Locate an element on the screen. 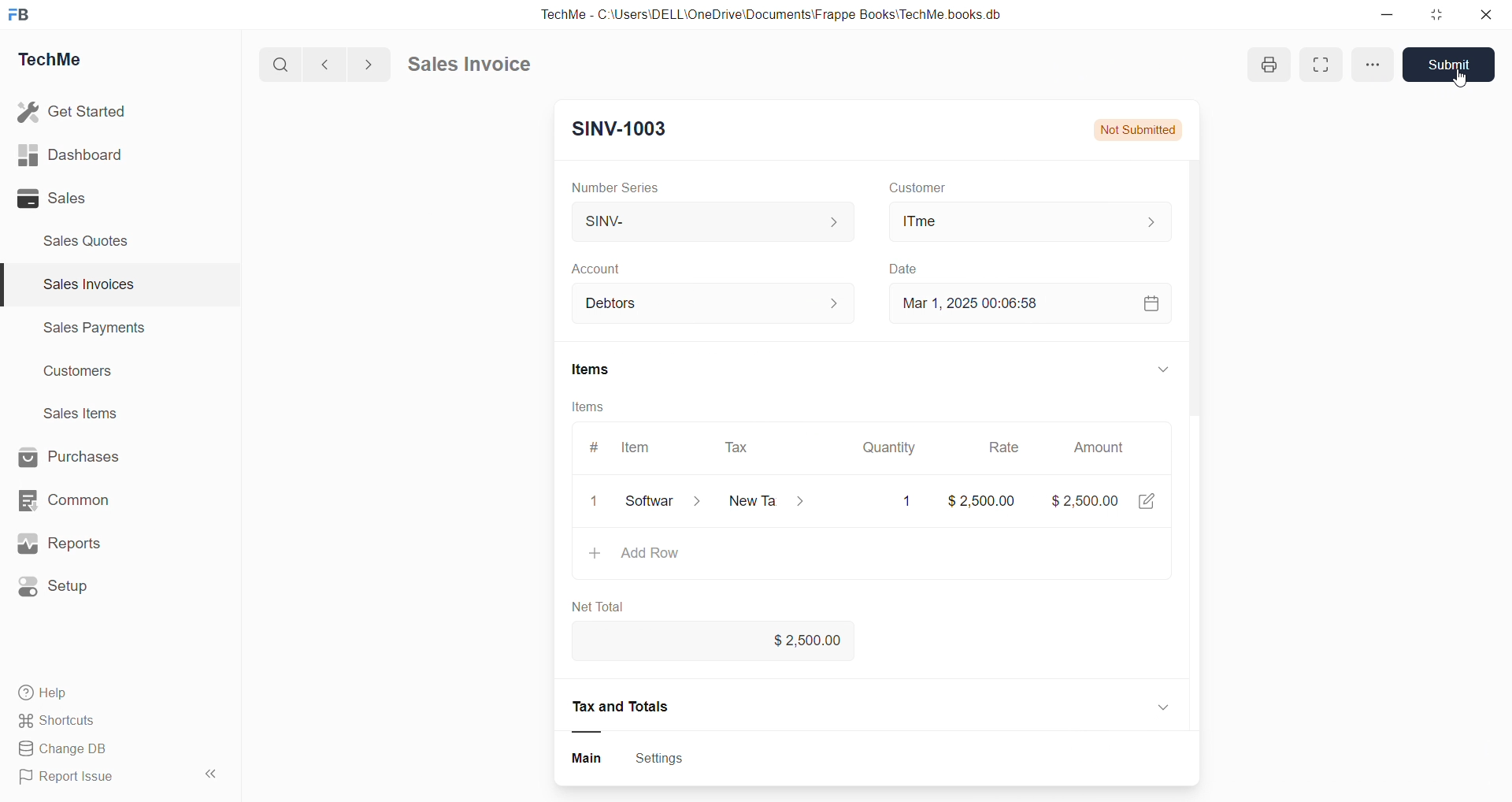 Image resolution: width=1512 pixels, height=802 pixels. + Add Row is located at coordinates (643, 555).